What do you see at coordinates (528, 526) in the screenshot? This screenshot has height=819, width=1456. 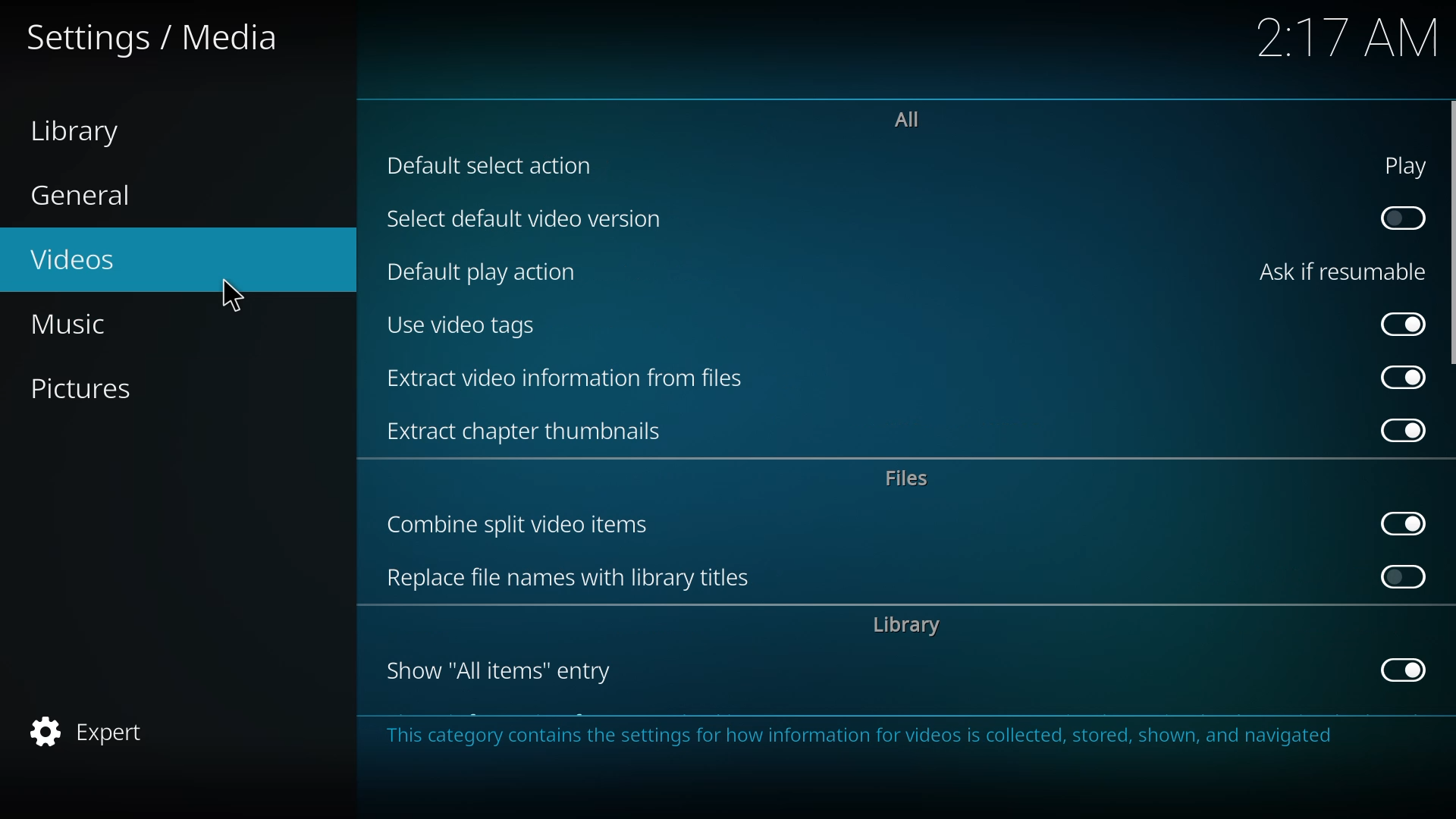 I see `combine split video items` at bounding box center [528, 526].